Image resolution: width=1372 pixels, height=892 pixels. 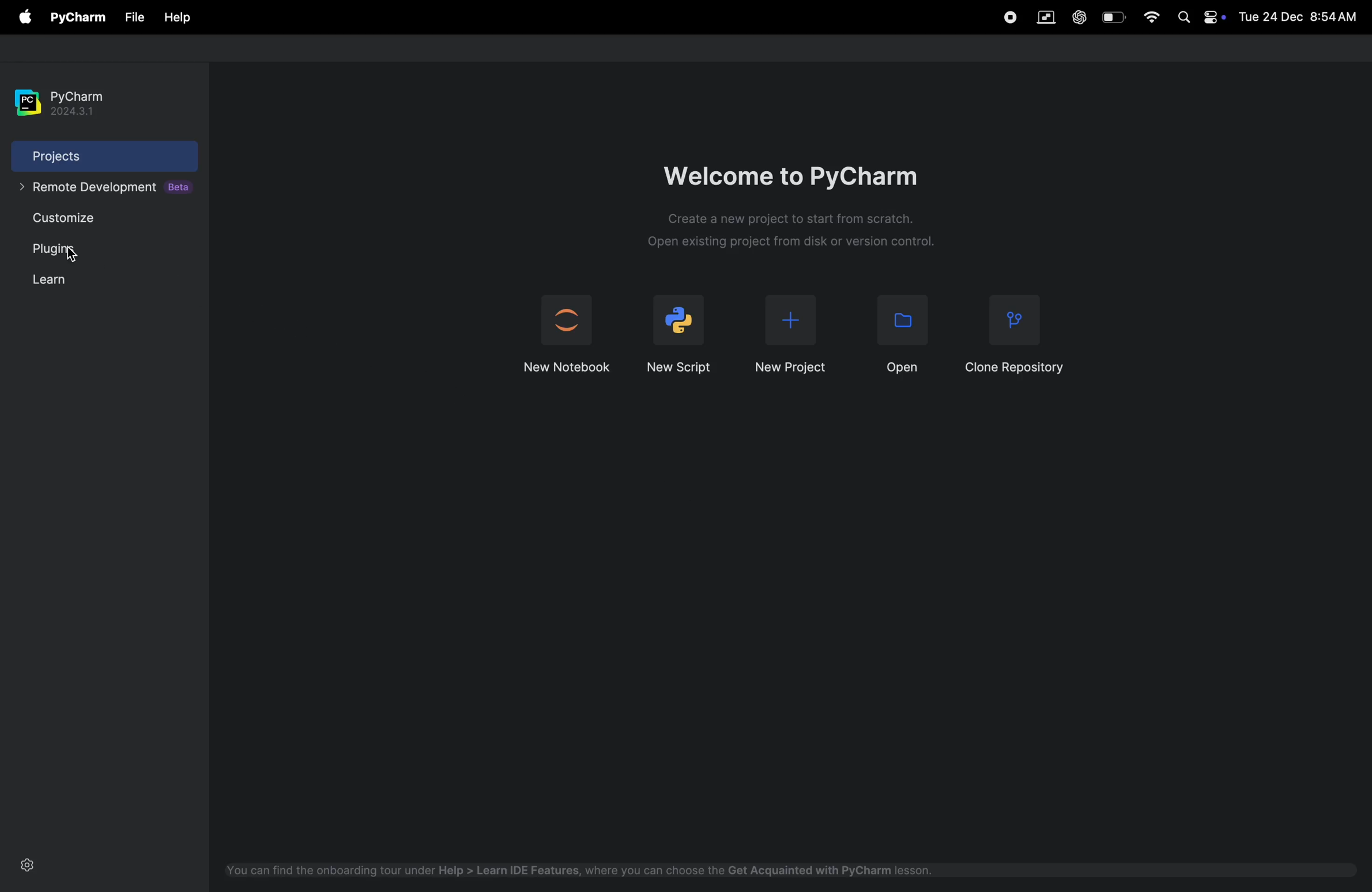 I want to click on learn, so click(x=70, y=277).